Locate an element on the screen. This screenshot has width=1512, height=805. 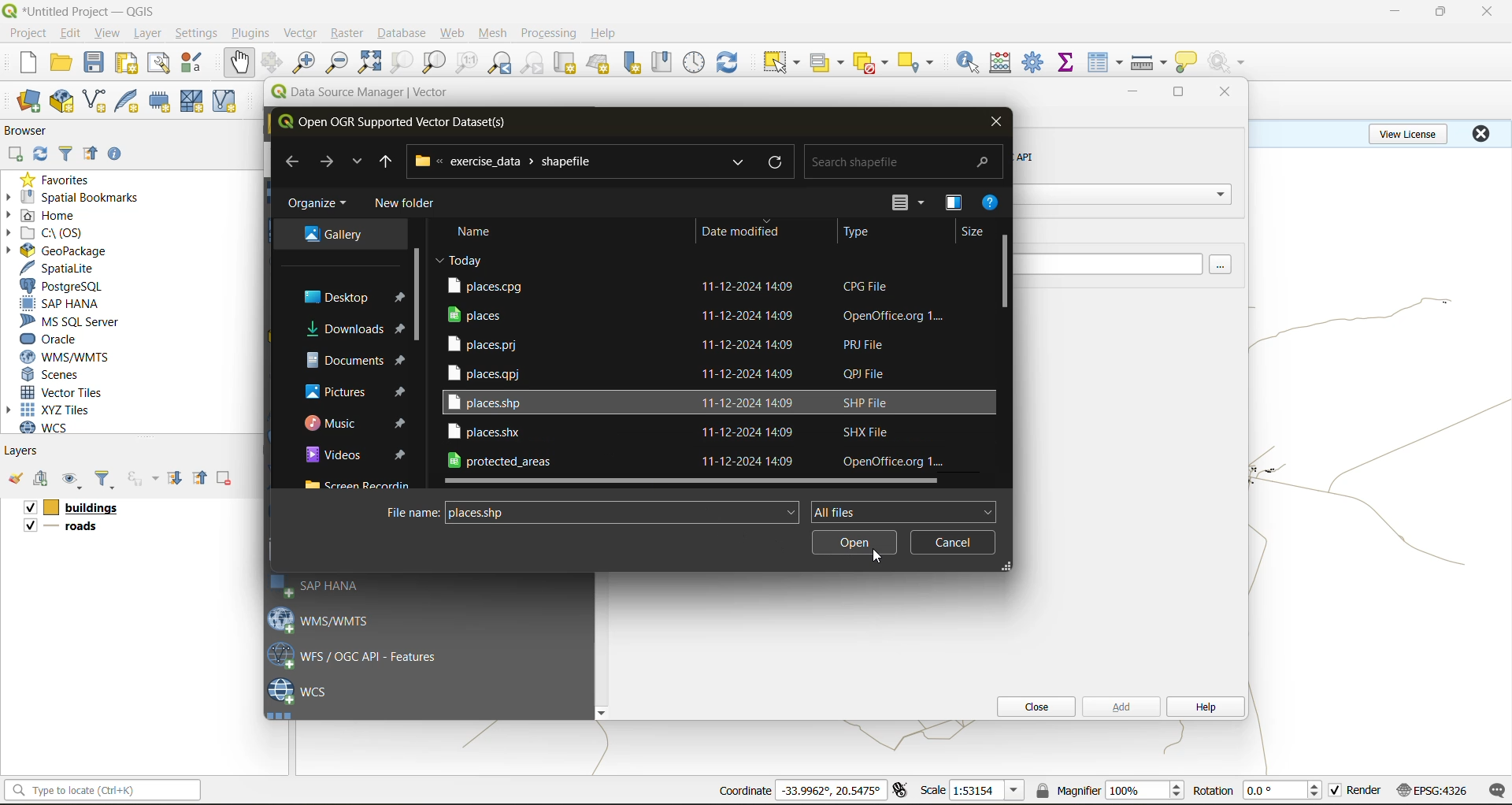
zoom next is located at coordinates (535, 63).